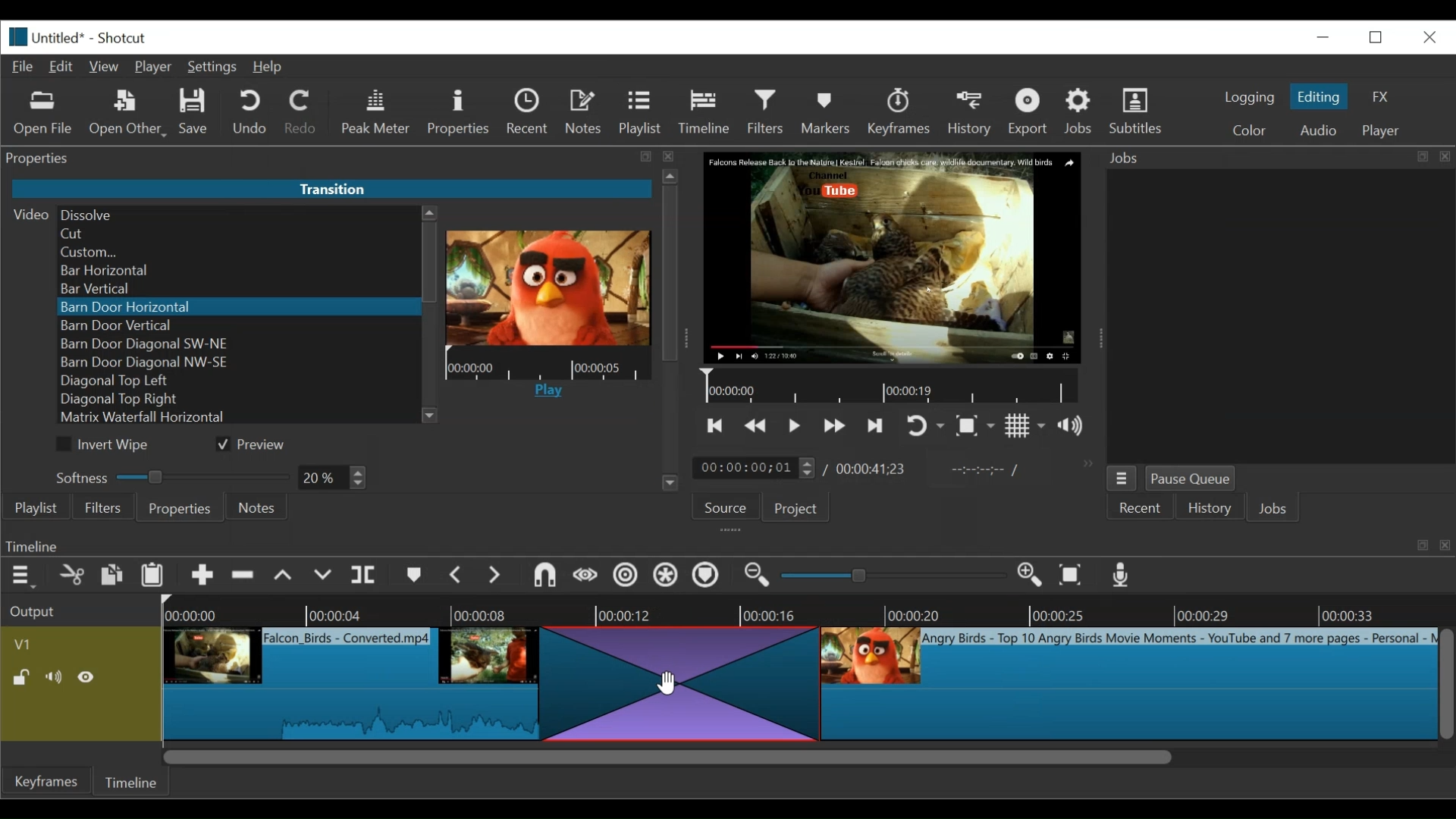 The image size is (1456, 819). What do you see at coordinates (239, 419) in the screenshot?
I see `Matrix Waterfall` at bounding box center [239, 419].